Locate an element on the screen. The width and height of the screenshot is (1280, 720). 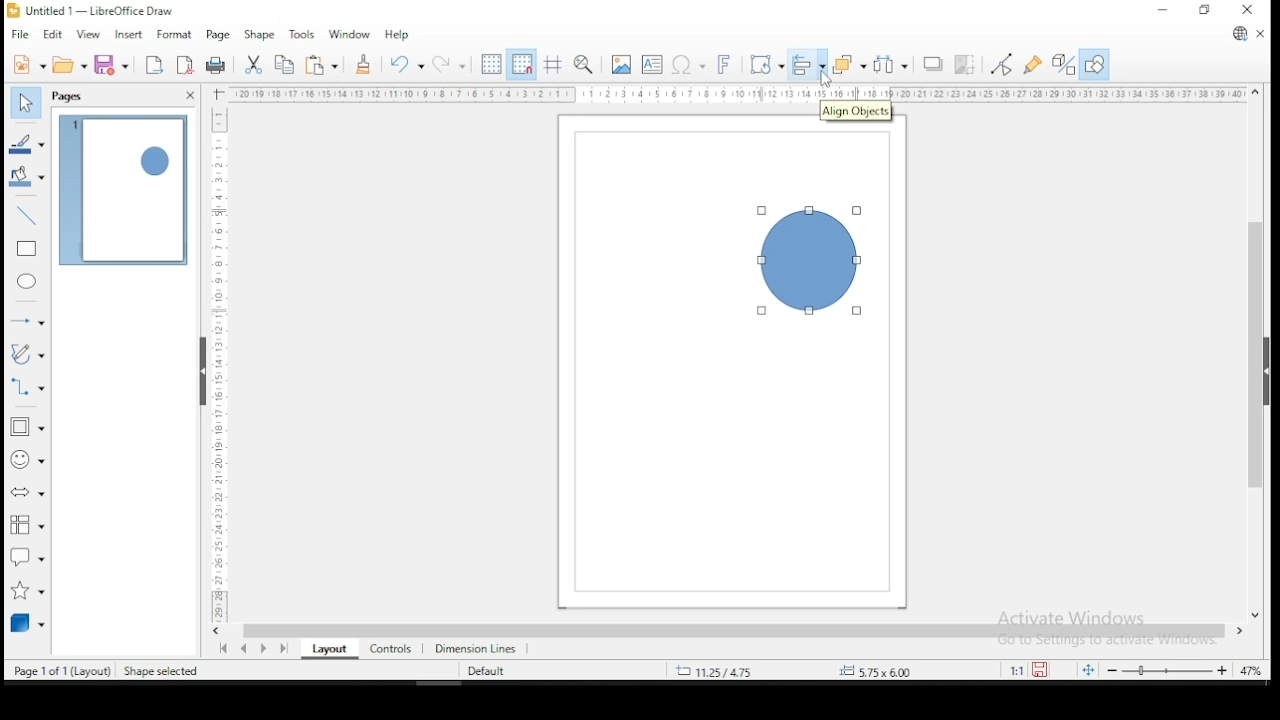
format is located at coordinates (172, 32).